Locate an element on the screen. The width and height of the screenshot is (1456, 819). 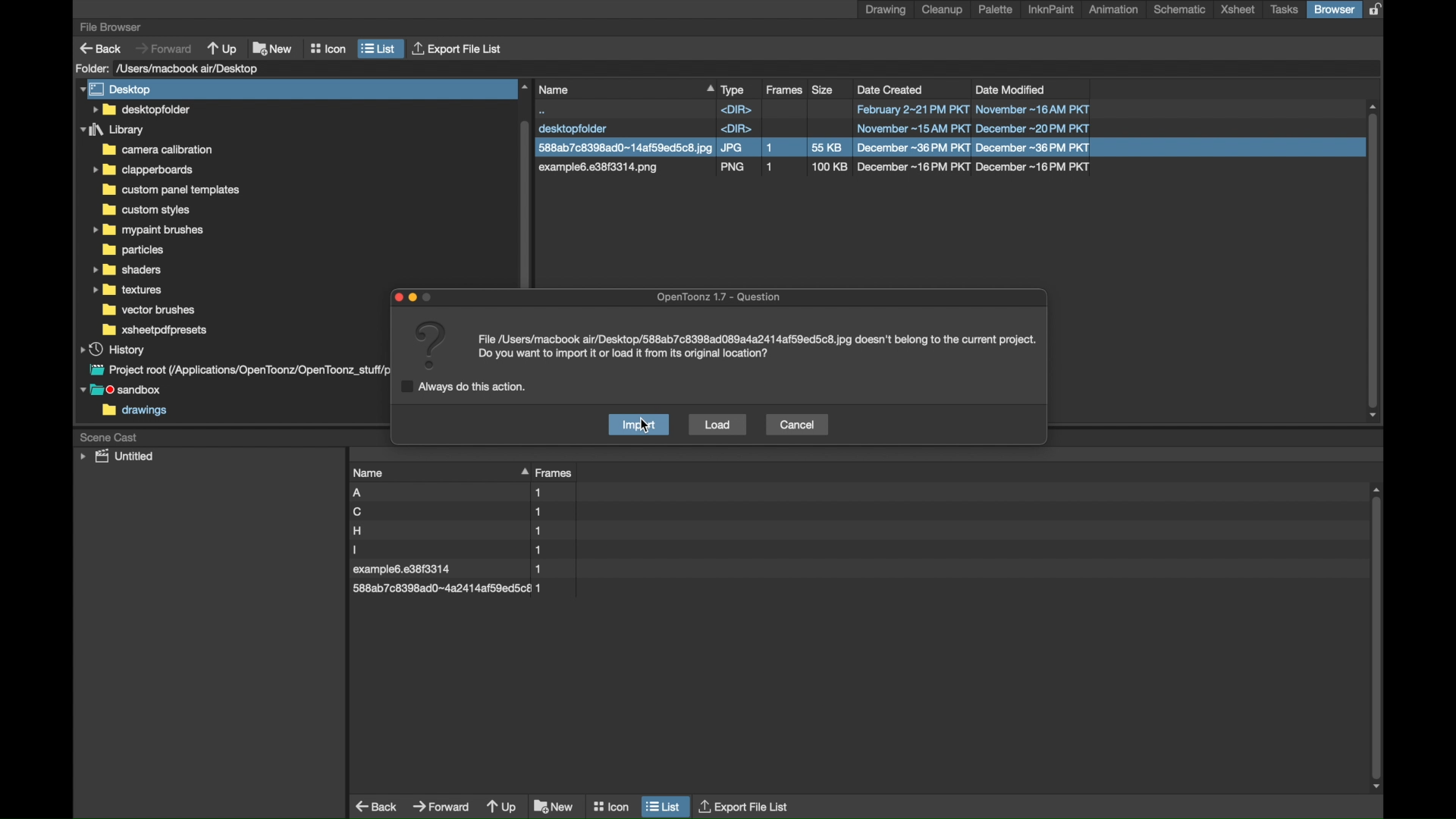
file is located at coordinates (814, 130).